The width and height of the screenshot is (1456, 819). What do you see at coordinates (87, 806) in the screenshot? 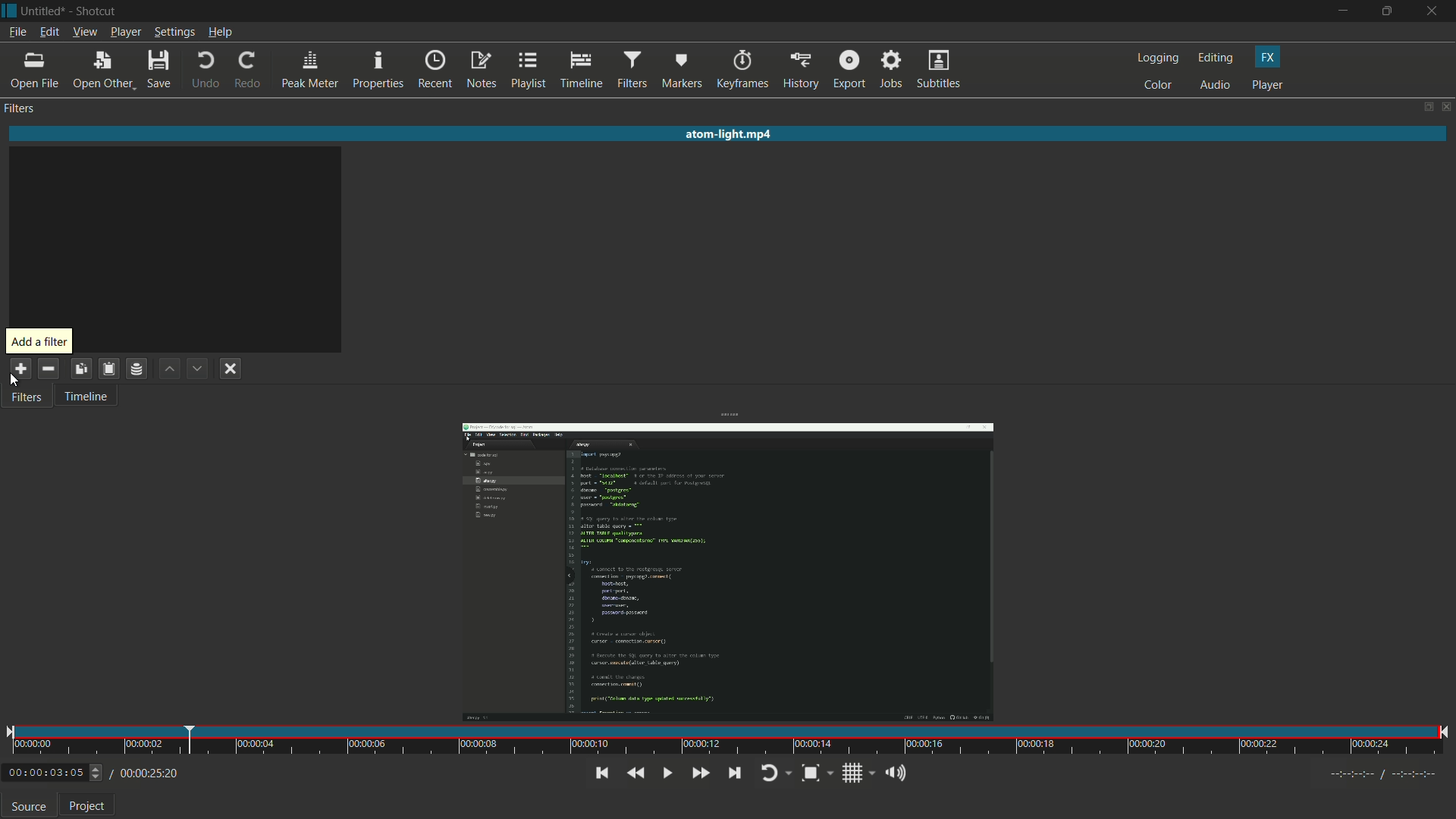
I see `project` at bounding box center [87, 806].